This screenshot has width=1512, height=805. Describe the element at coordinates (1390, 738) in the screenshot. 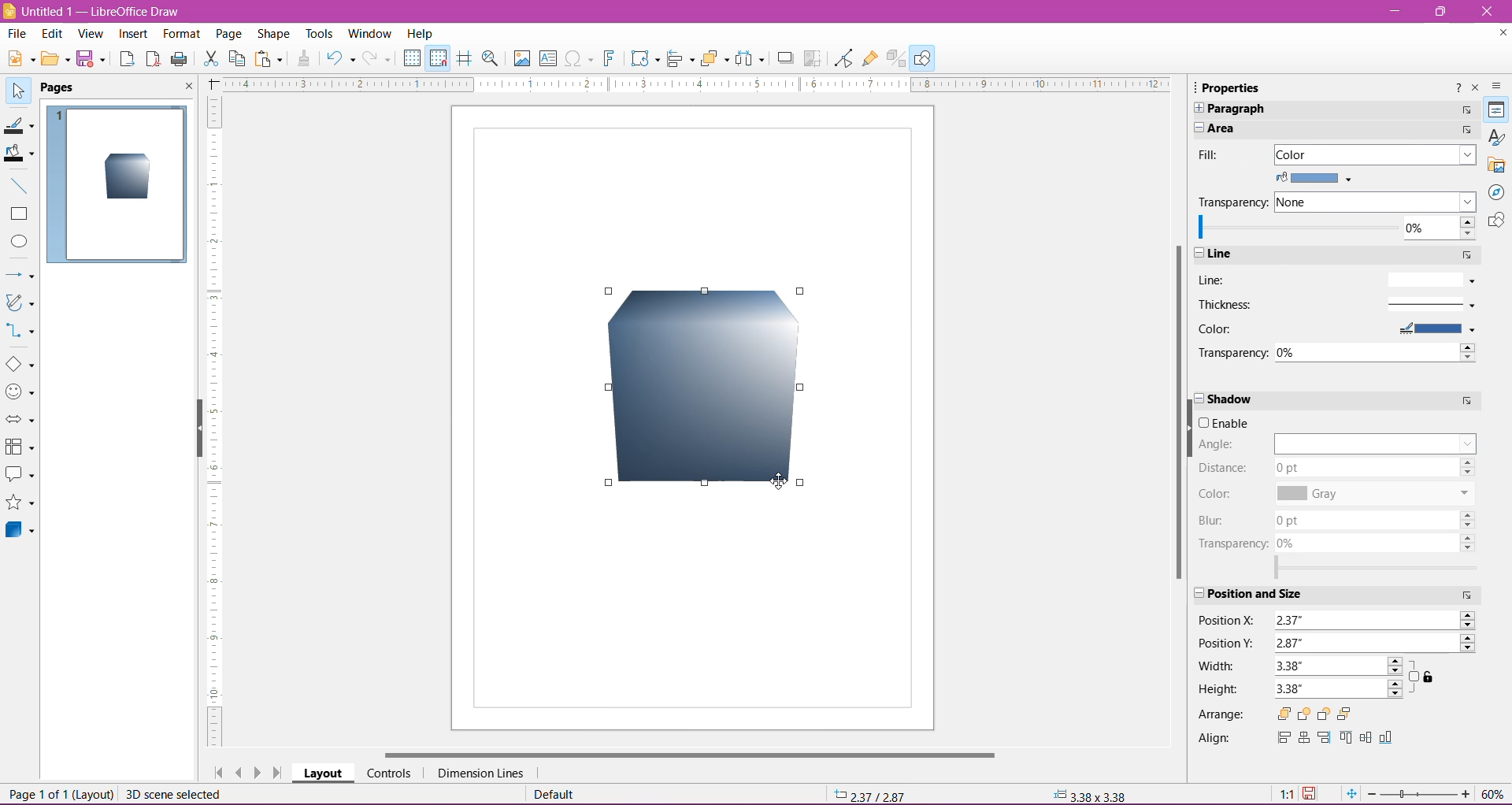

I see `Bottom` at that location.